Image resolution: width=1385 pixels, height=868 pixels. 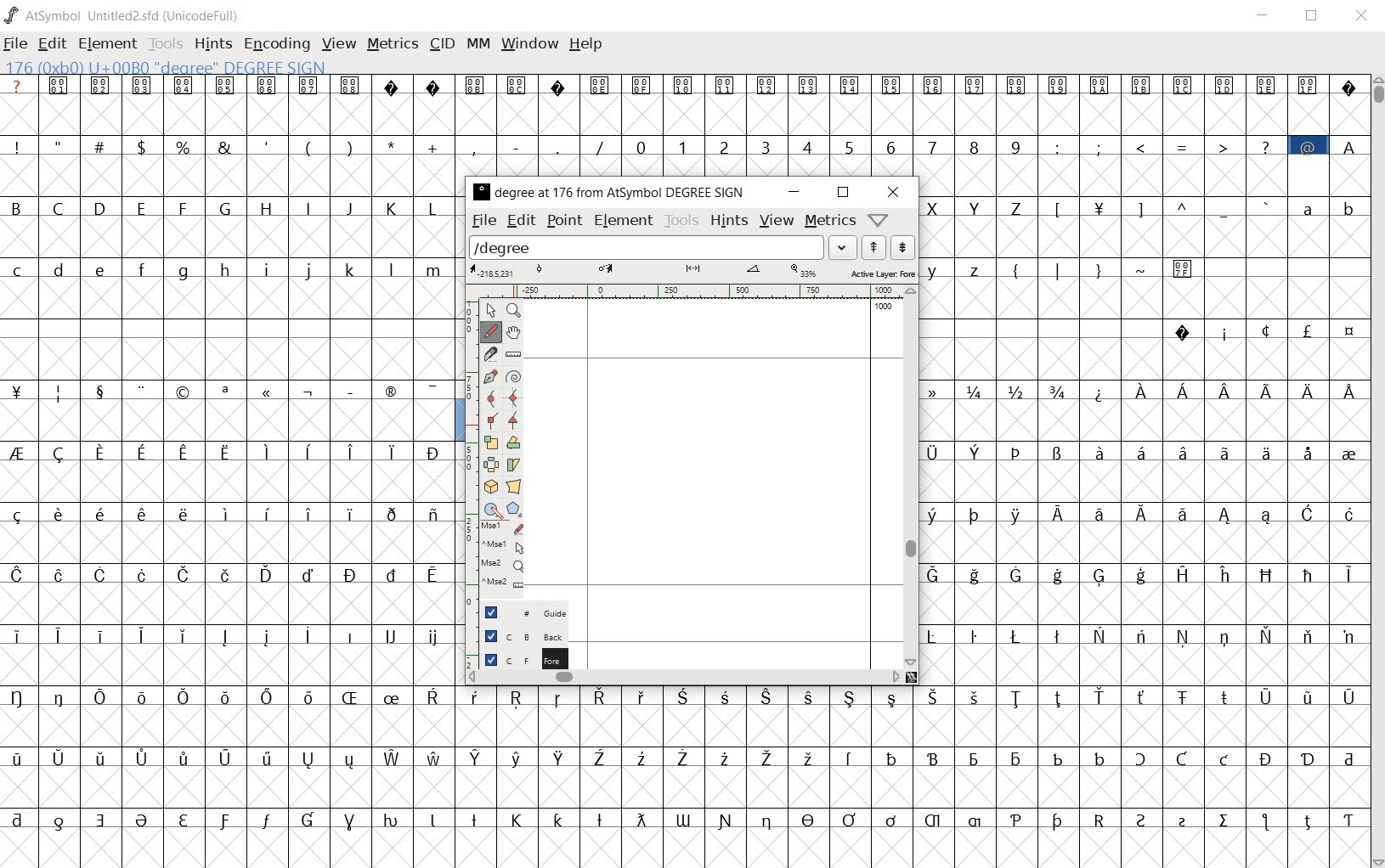 I want to click on add a curve point always either horizontal or vertical, so click(x=515, y=397).